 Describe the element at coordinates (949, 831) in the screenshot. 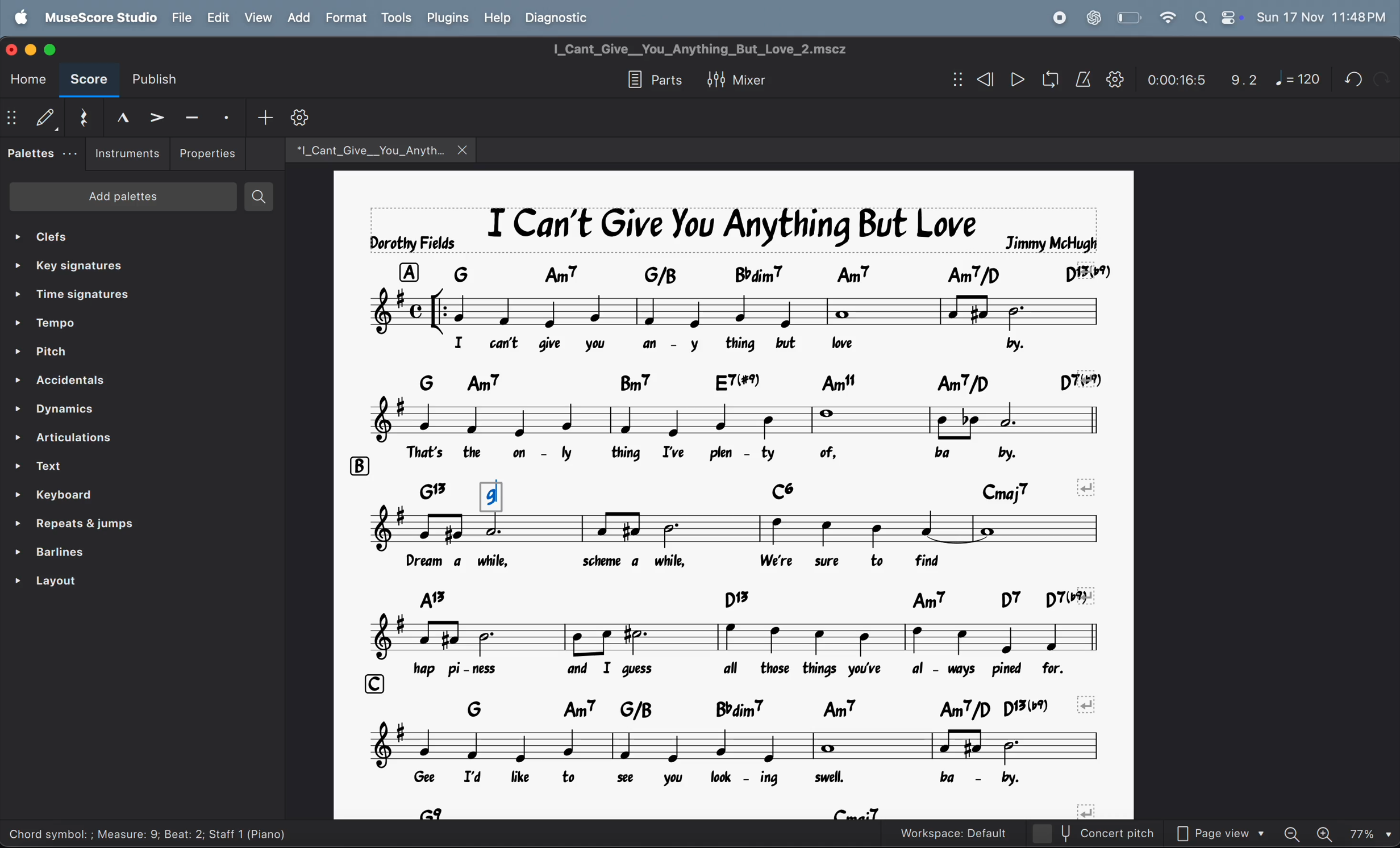

I see `workspace default` at that location.